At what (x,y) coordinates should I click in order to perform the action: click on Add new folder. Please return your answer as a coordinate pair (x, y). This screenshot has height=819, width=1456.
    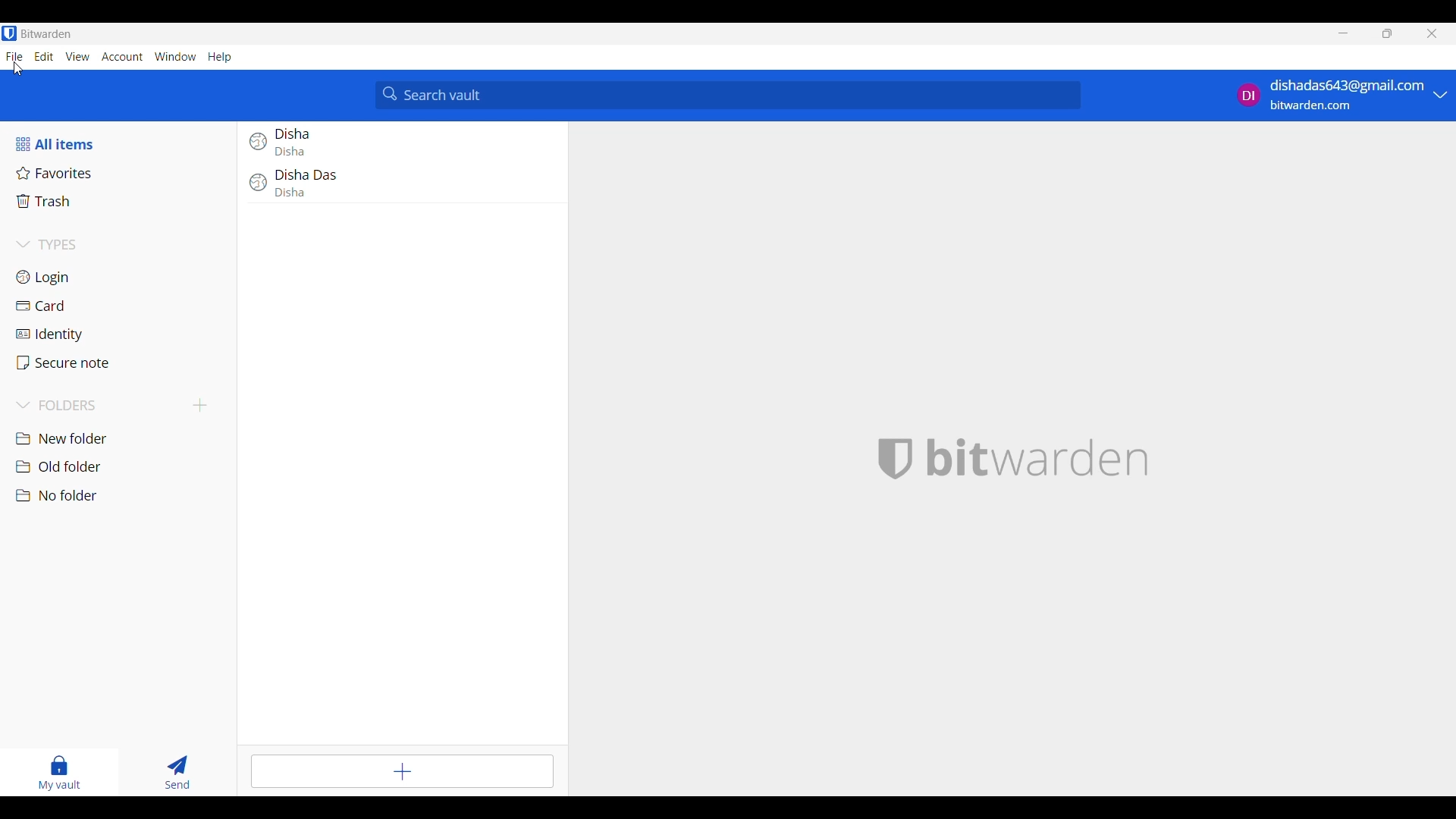
    Looking at the image, I should click on (201, 405).